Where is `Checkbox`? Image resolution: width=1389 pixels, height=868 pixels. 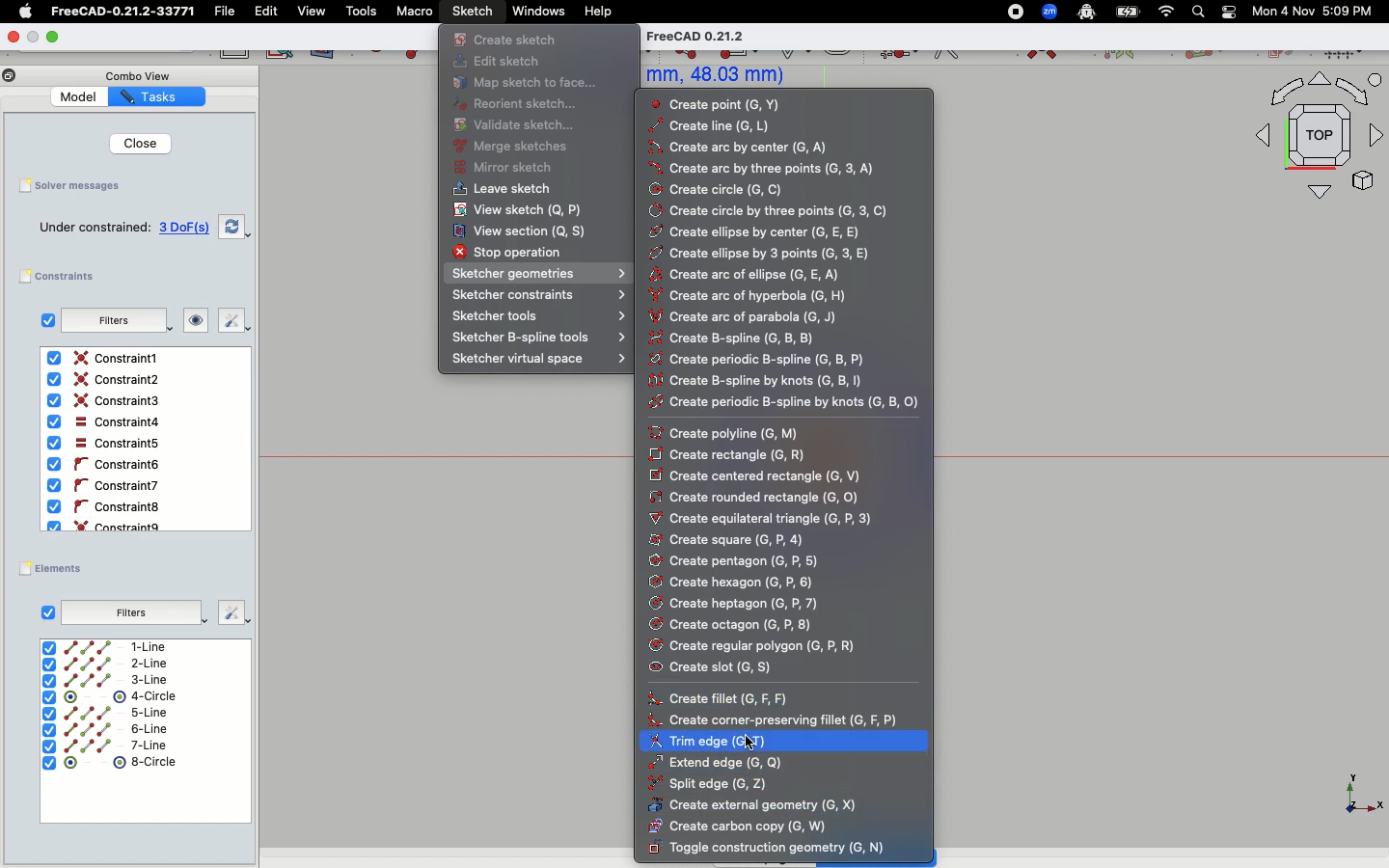 Checkbox is located at coordinates (48, 611).